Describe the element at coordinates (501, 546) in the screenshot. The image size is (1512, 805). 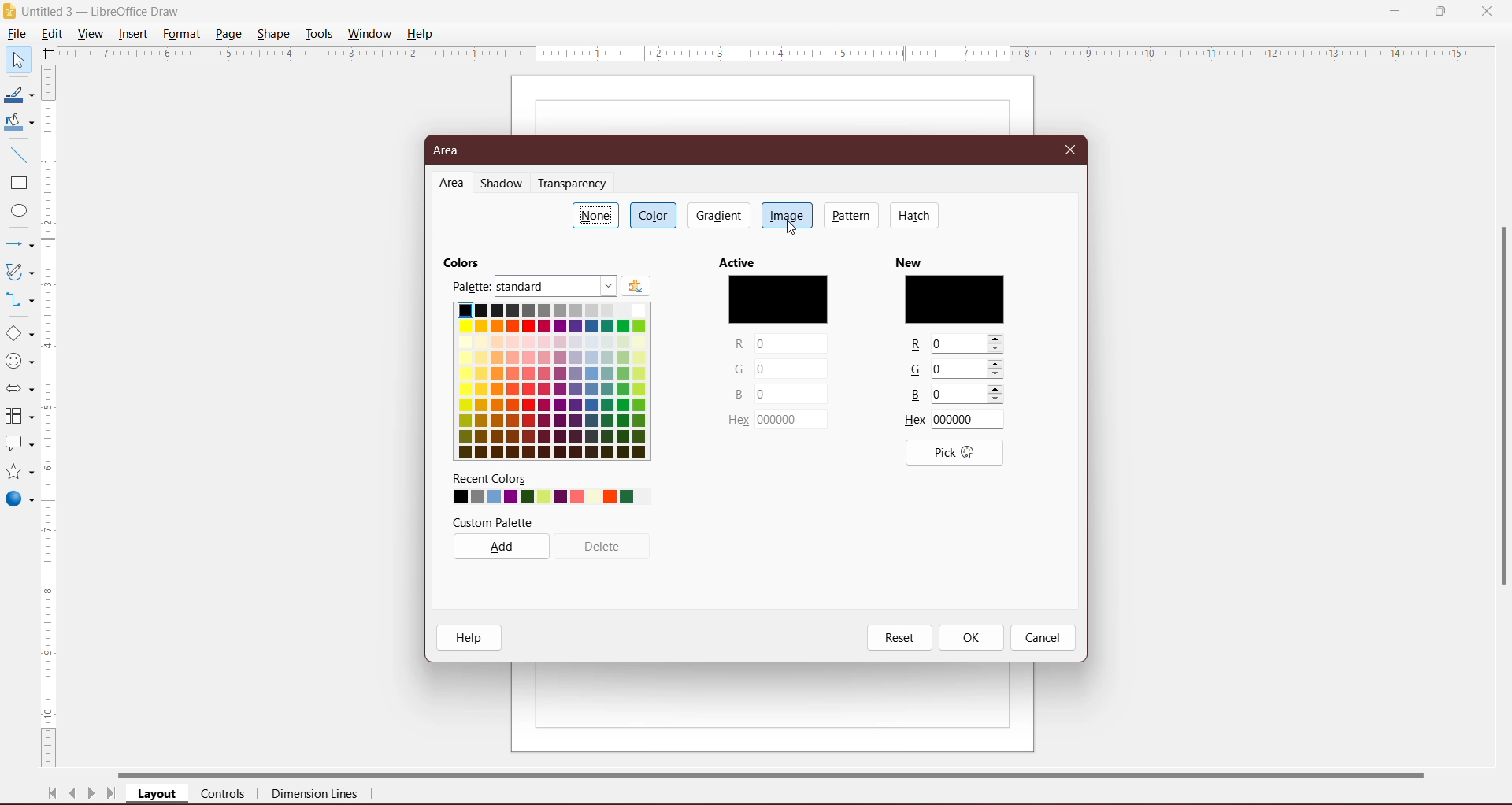
I see `Add` at that location.